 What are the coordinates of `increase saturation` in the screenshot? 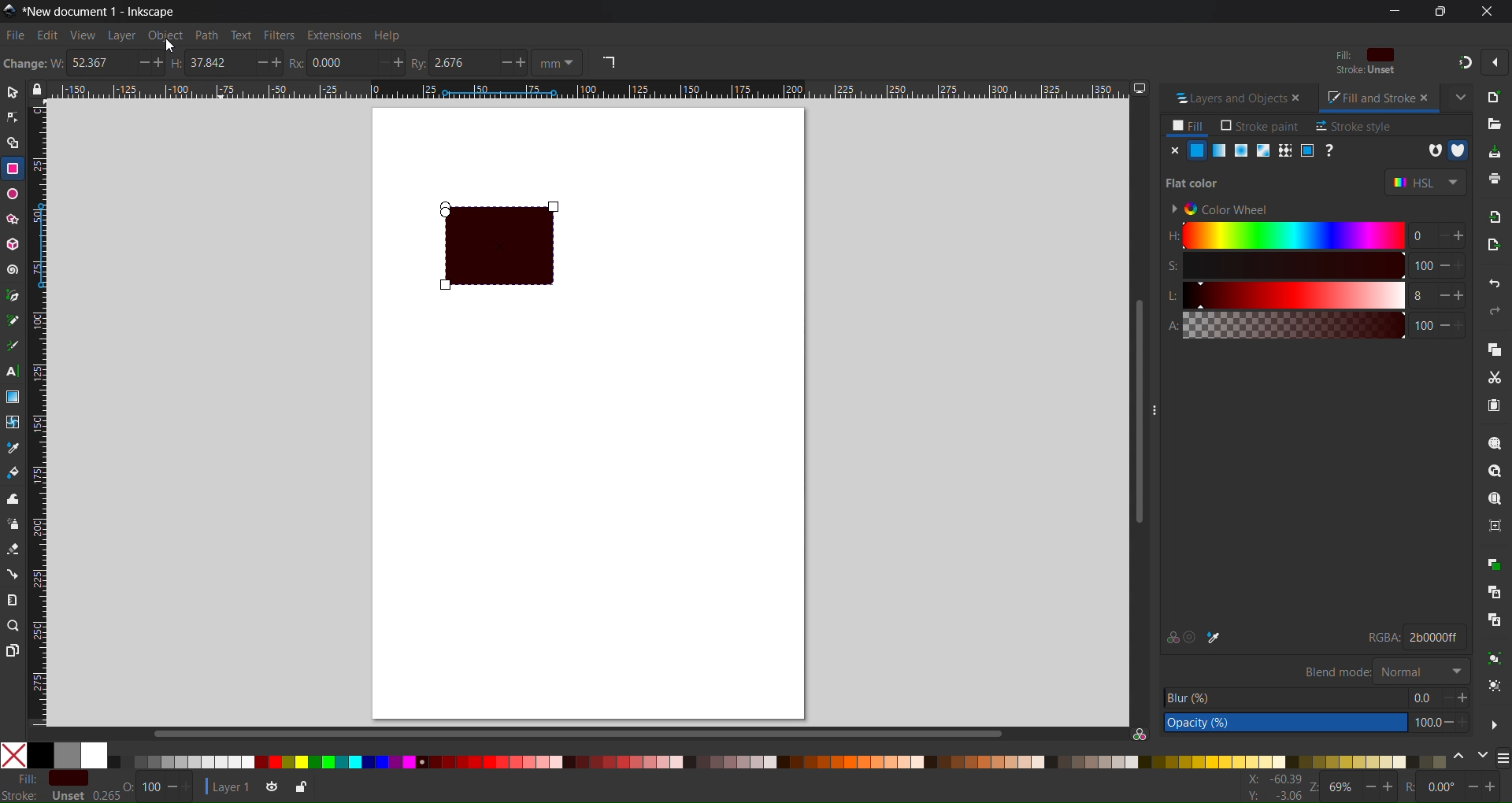 It's located at (1466, 265).